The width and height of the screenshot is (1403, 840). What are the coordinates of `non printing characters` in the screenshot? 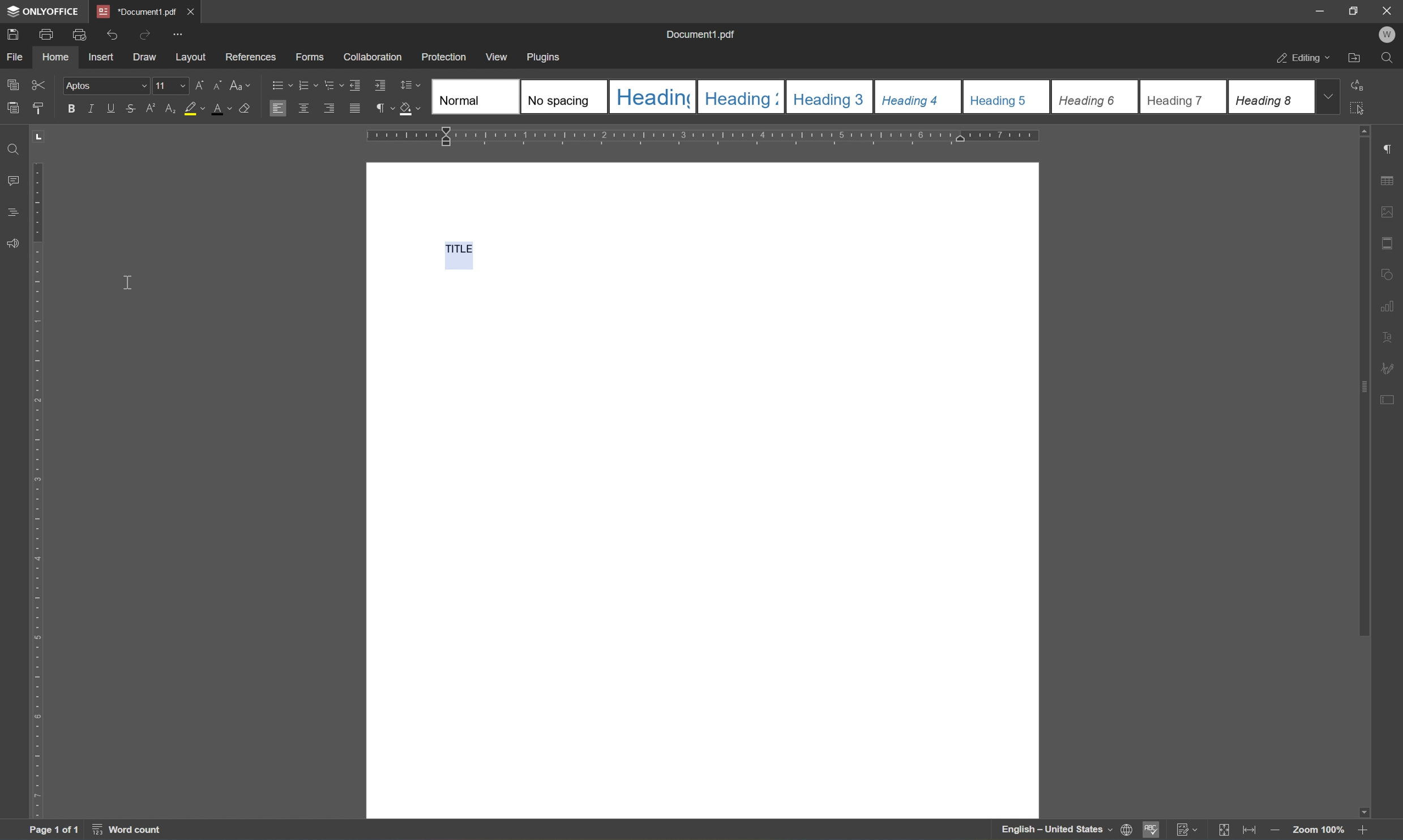 It's located at (384, 109).